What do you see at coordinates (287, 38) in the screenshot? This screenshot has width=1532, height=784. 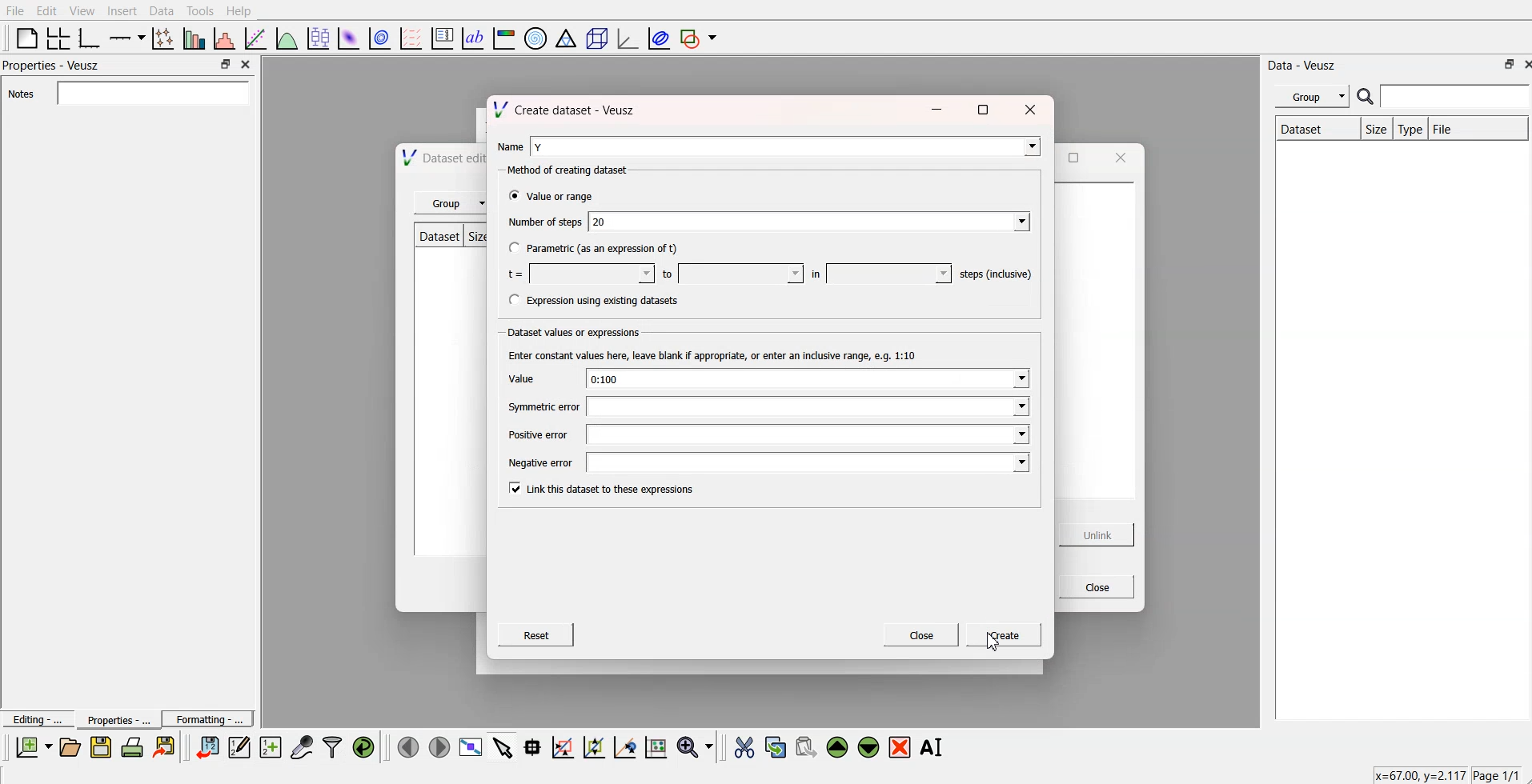 I see `plot a function` at bounding box center [287, 38].